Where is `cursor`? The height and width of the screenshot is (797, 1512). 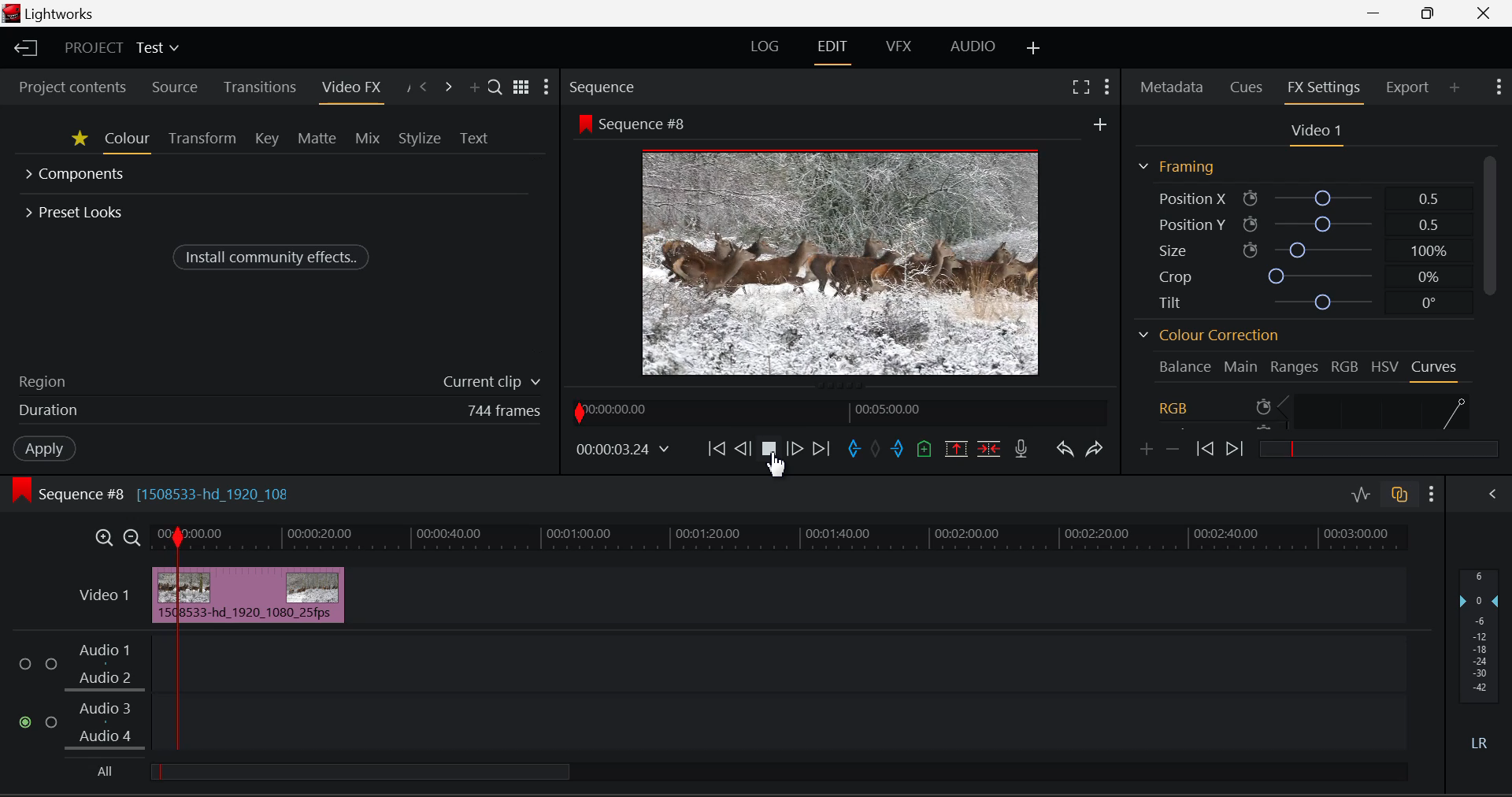 cursor is located at coordinates (779, 465).